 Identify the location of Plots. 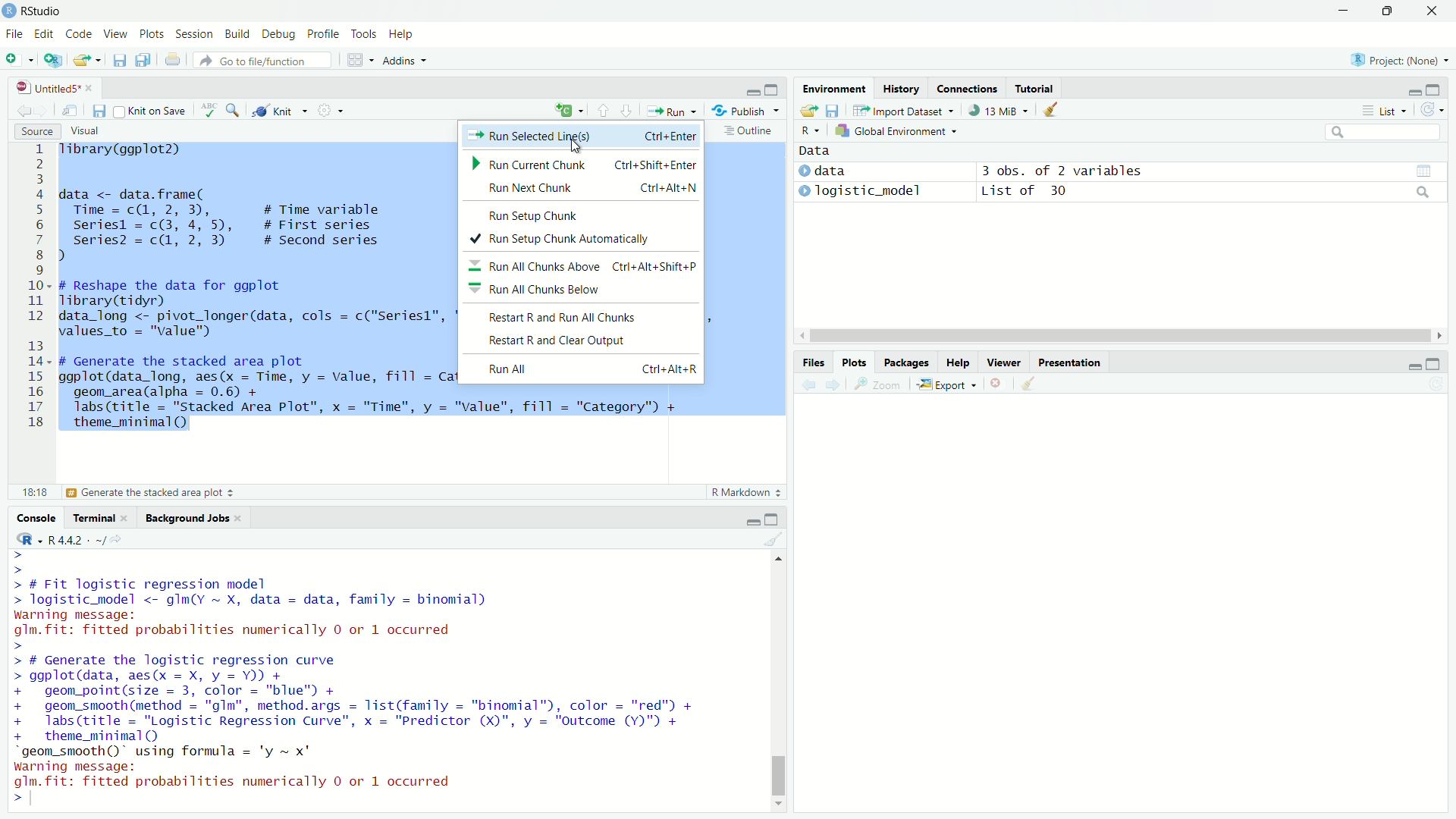
(153, 33).